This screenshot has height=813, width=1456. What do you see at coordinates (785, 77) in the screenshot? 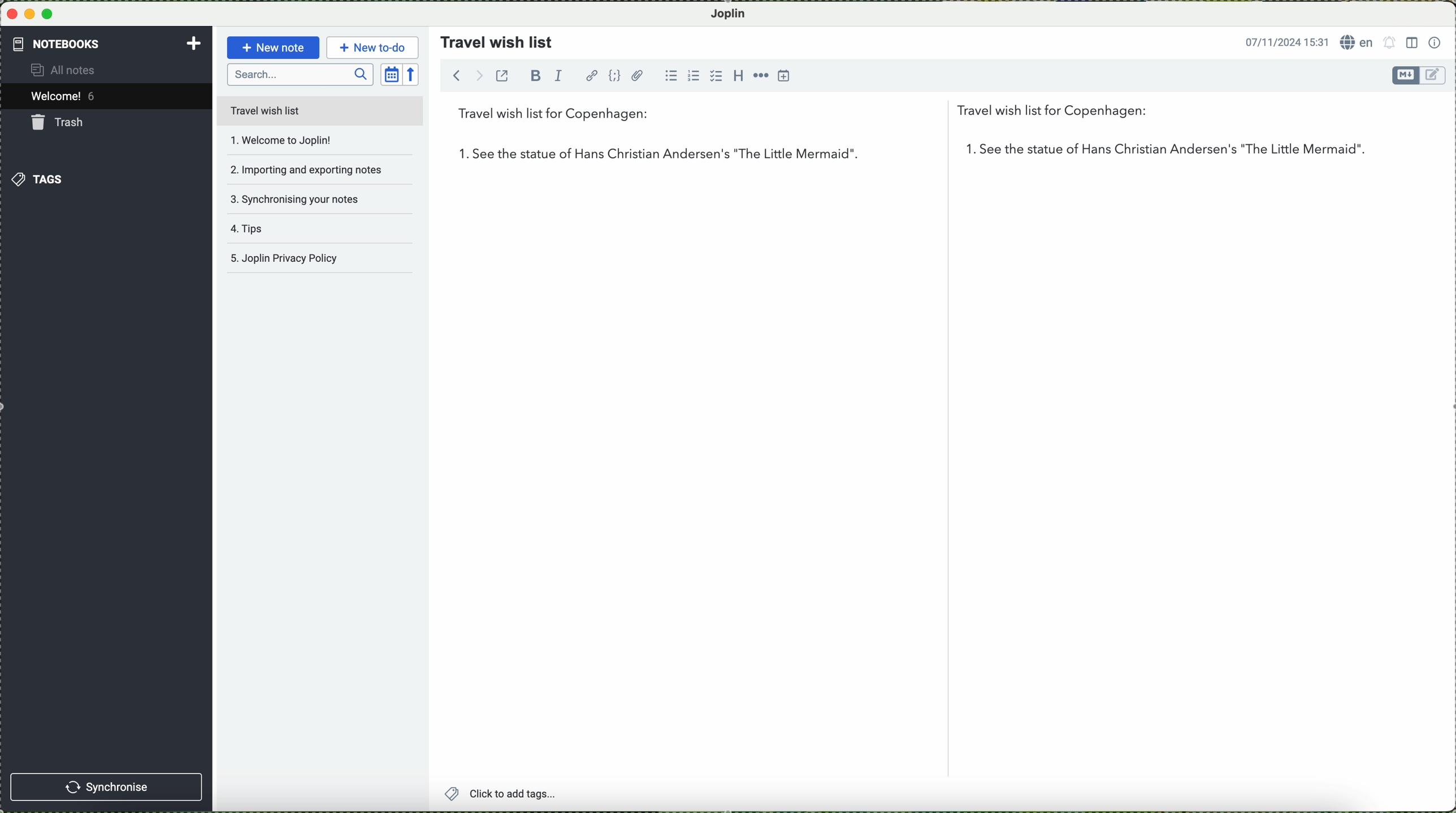
I see `insert time` at bounding box center [785, 77].